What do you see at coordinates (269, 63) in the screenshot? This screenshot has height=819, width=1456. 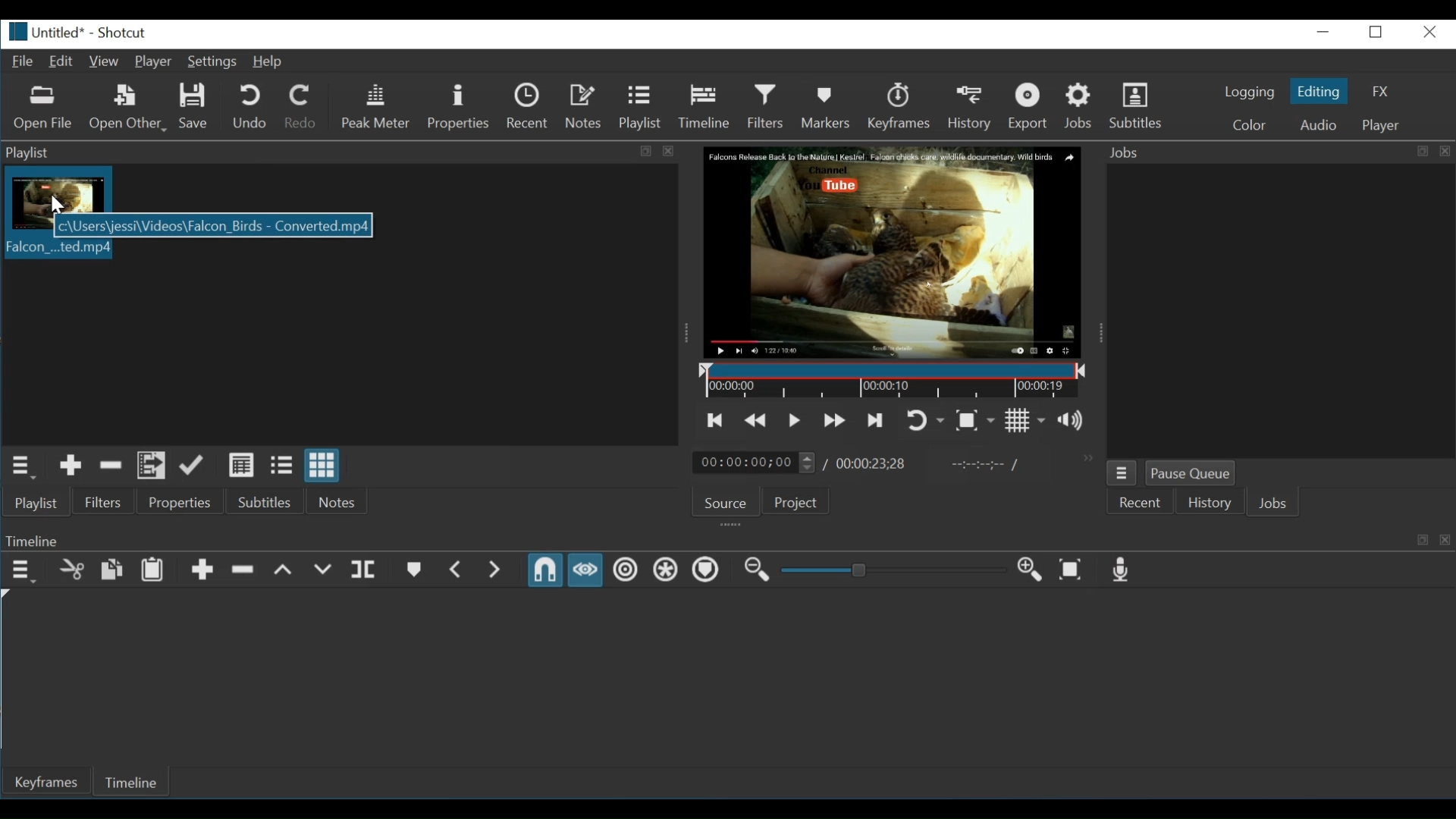 I see `Help` at bounding box center [269, 63].